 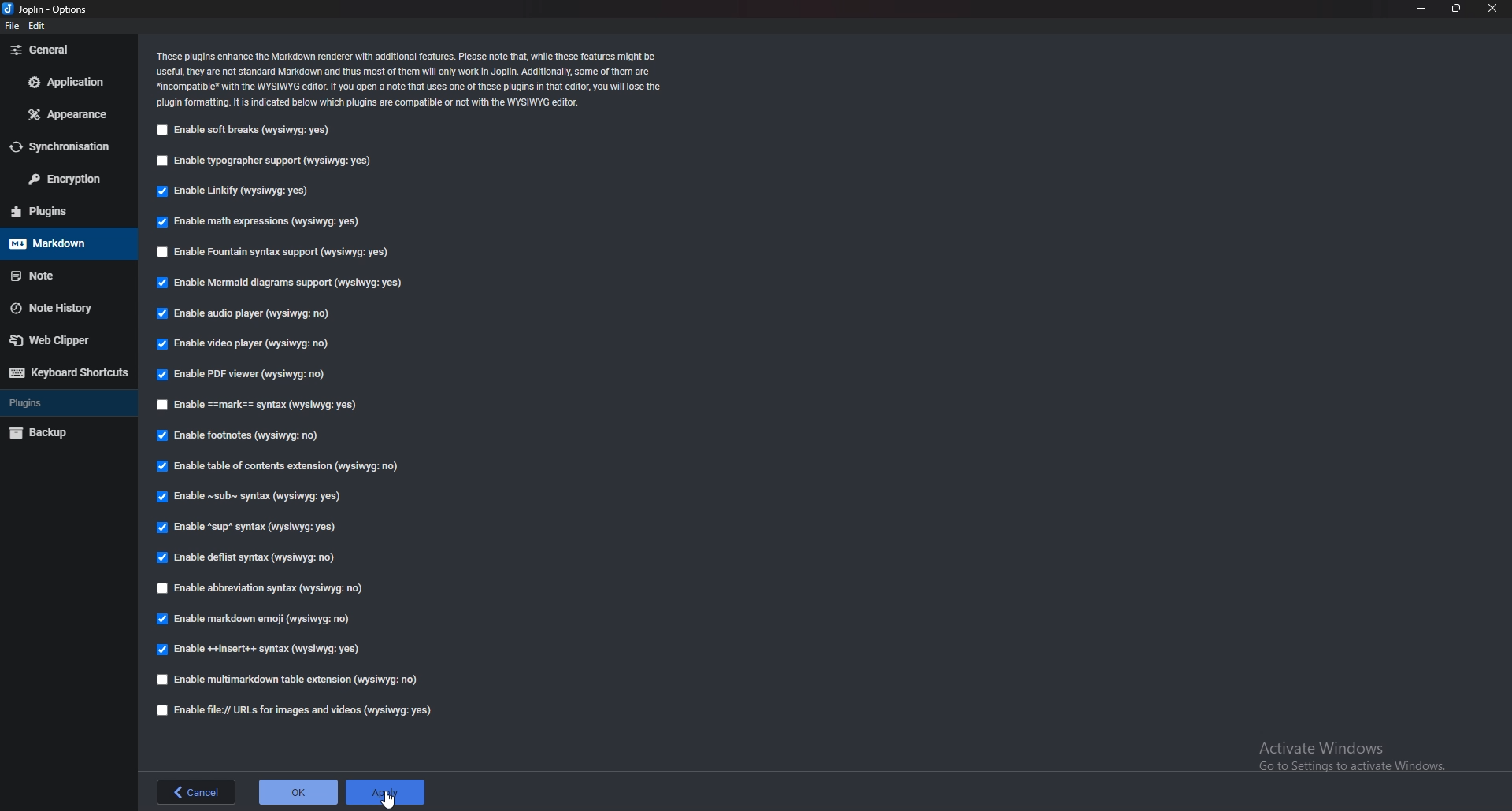 I want to click on ok, so click(x=299, y=791).